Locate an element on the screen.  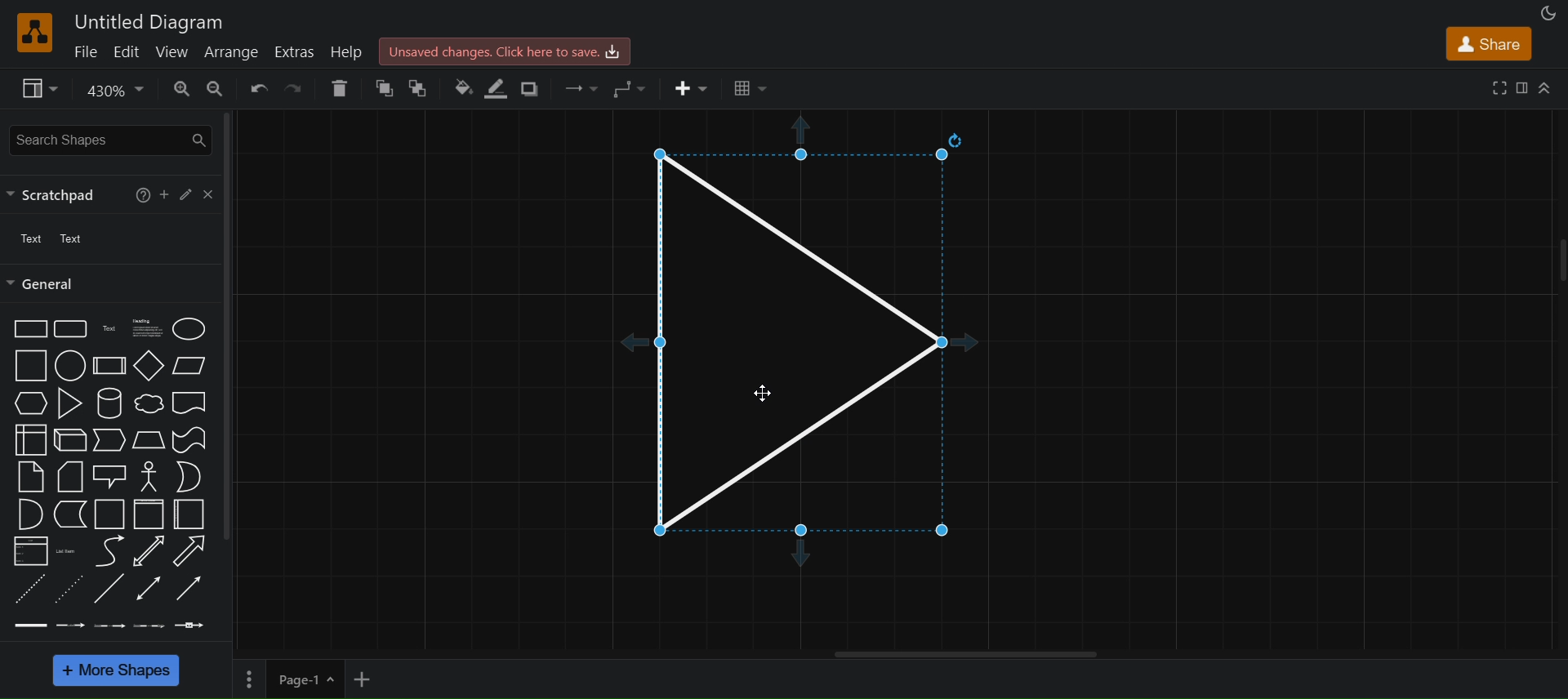
share is located at coordinates (1490, 42).